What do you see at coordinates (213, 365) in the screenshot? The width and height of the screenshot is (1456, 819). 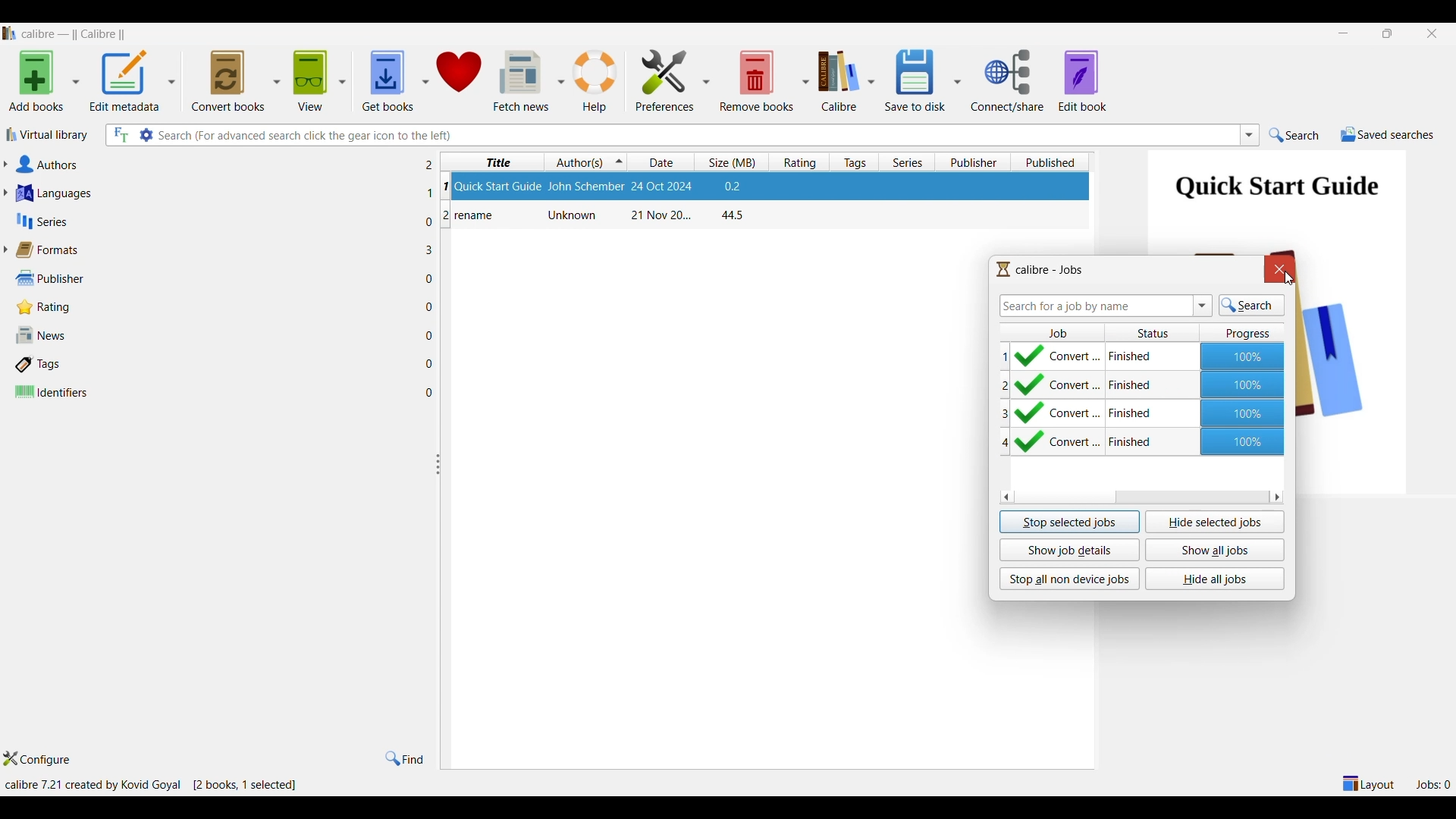 I see `Tags` at bounding box center [213, 365].